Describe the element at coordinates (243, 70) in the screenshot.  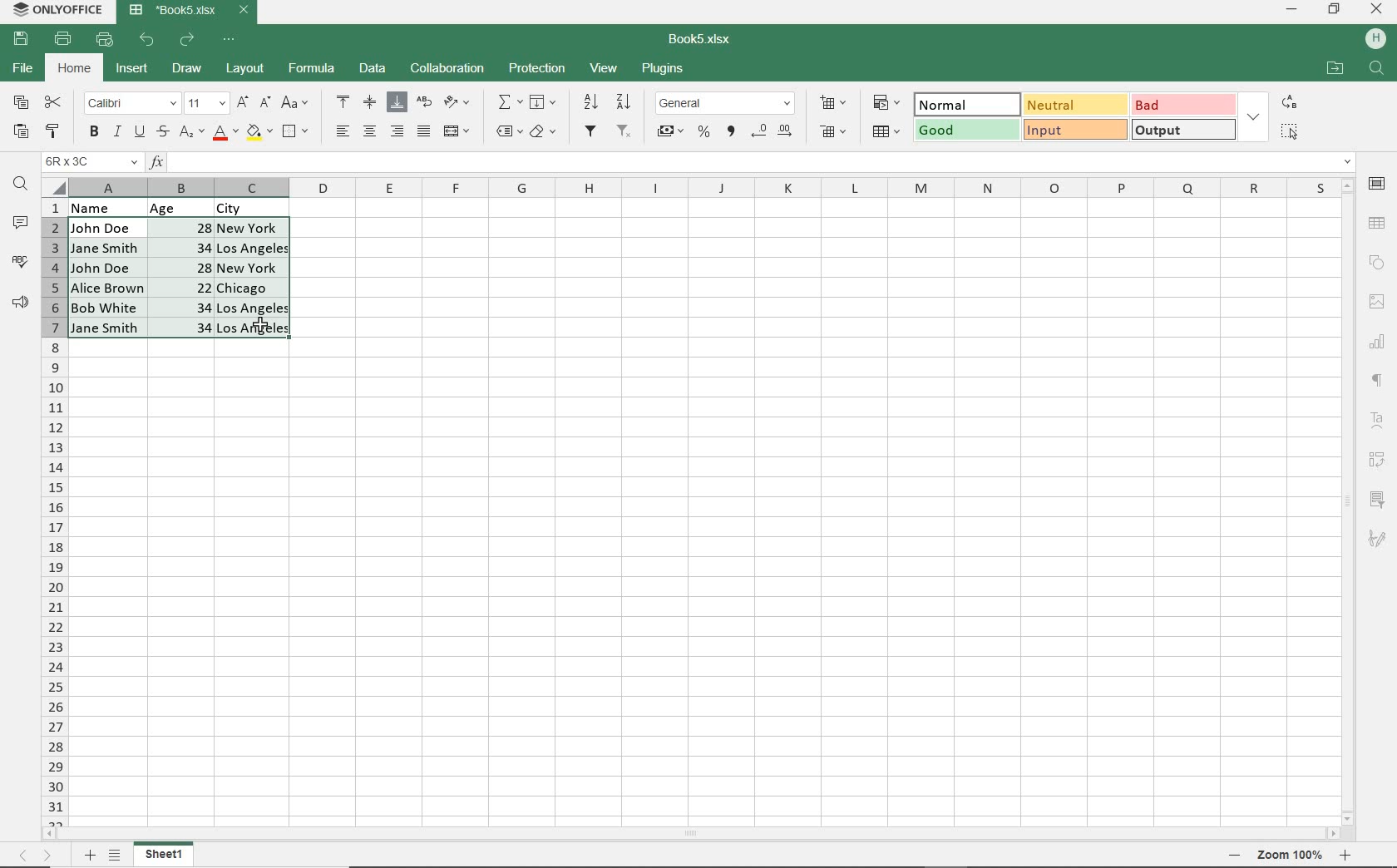
I see `LAYOUT` at that location.